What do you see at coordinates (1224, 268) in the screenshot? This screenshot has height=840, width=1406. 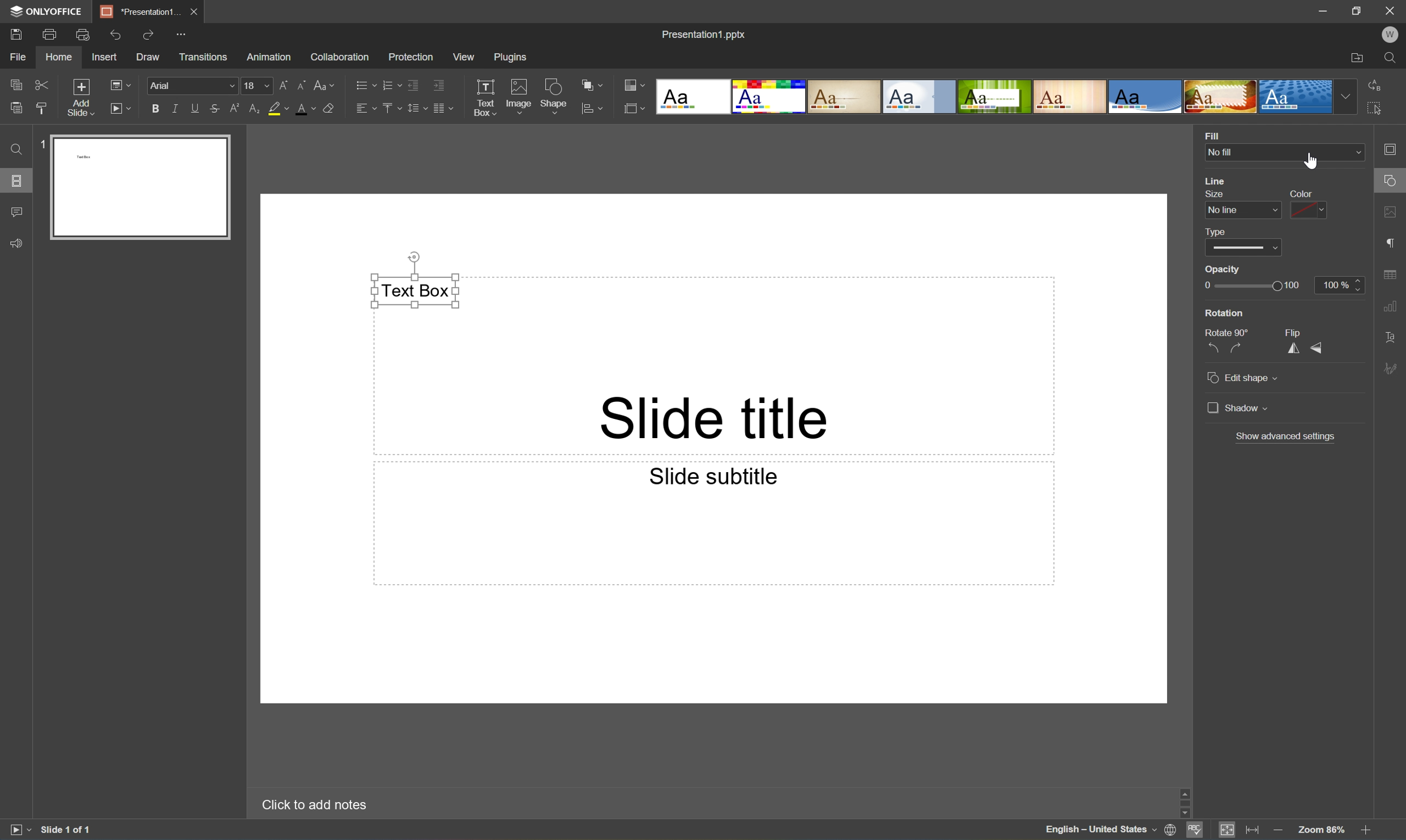 I see `Opacity` at bounding box center [1224, 268].